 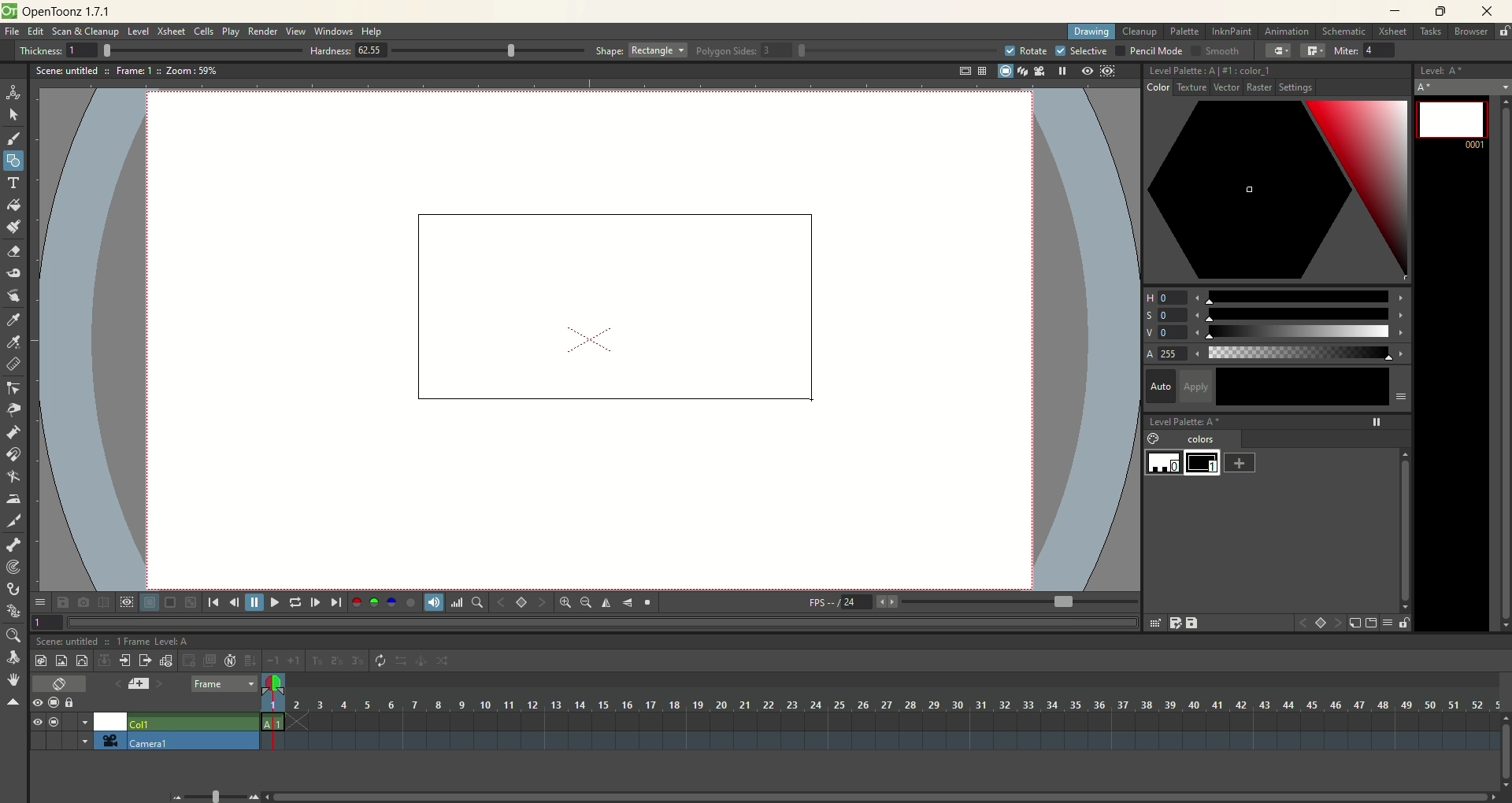 I want to click on increase steo, so click(x=296, y=661).